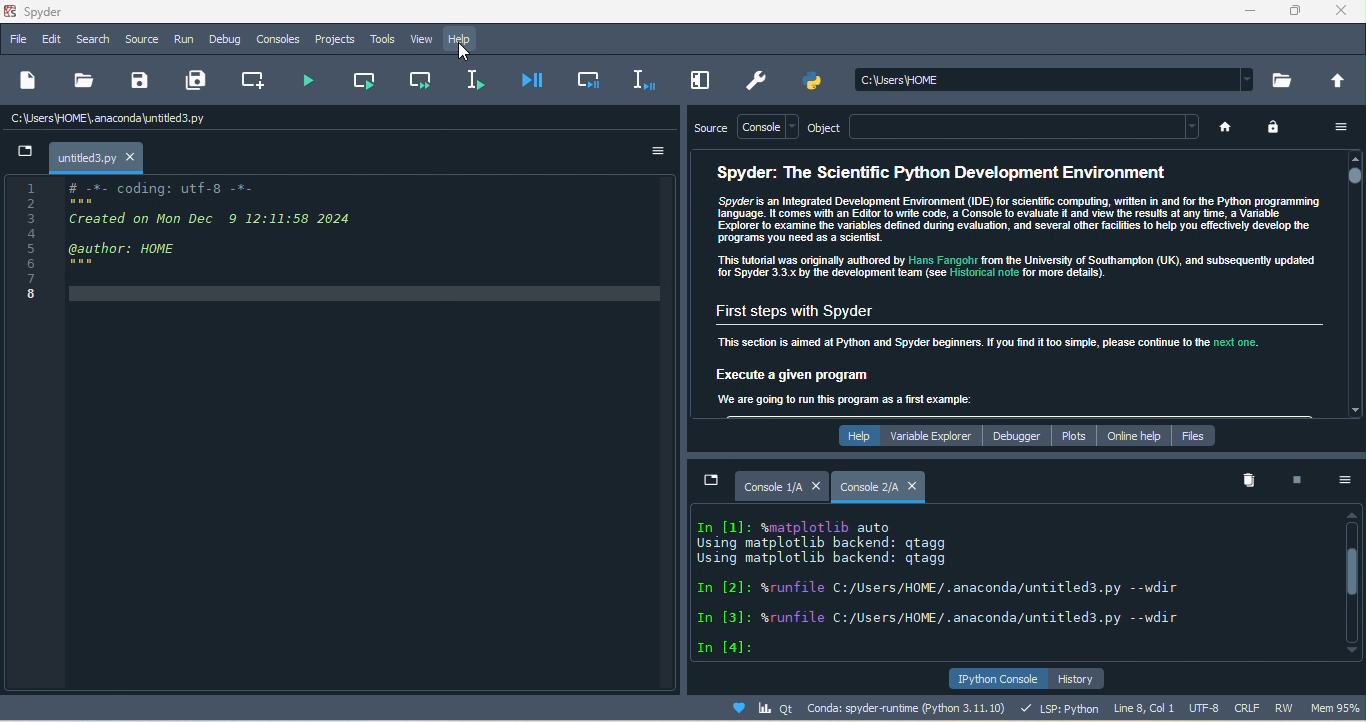 The image size is (1366, 722). I want to click on new, so click(30, 84).